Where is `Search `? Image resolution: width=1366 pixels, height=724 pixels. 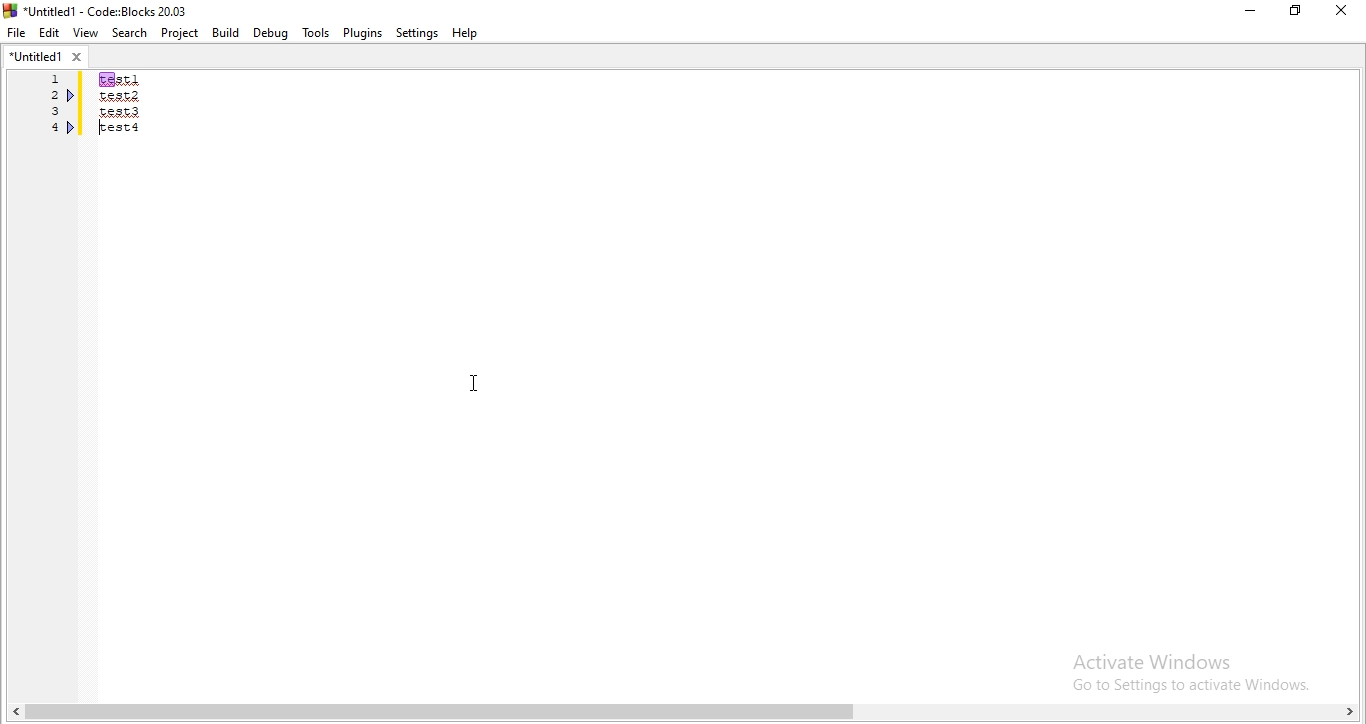
Search  is located at coordinates (131, 34).